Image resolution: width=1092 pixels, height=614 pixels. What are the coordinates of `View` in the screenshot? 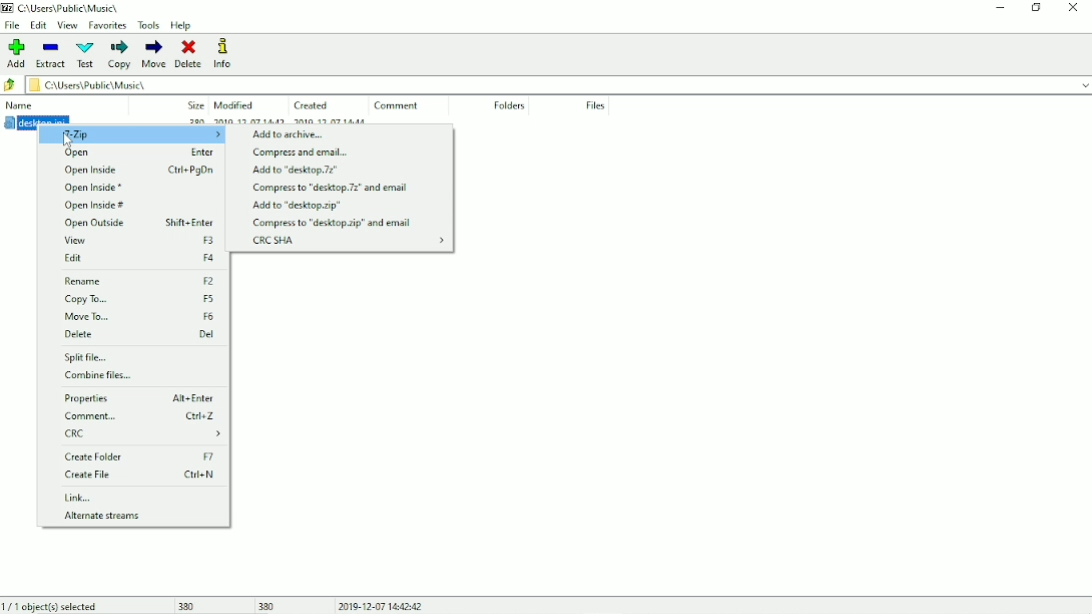 It's located at (137, 241).